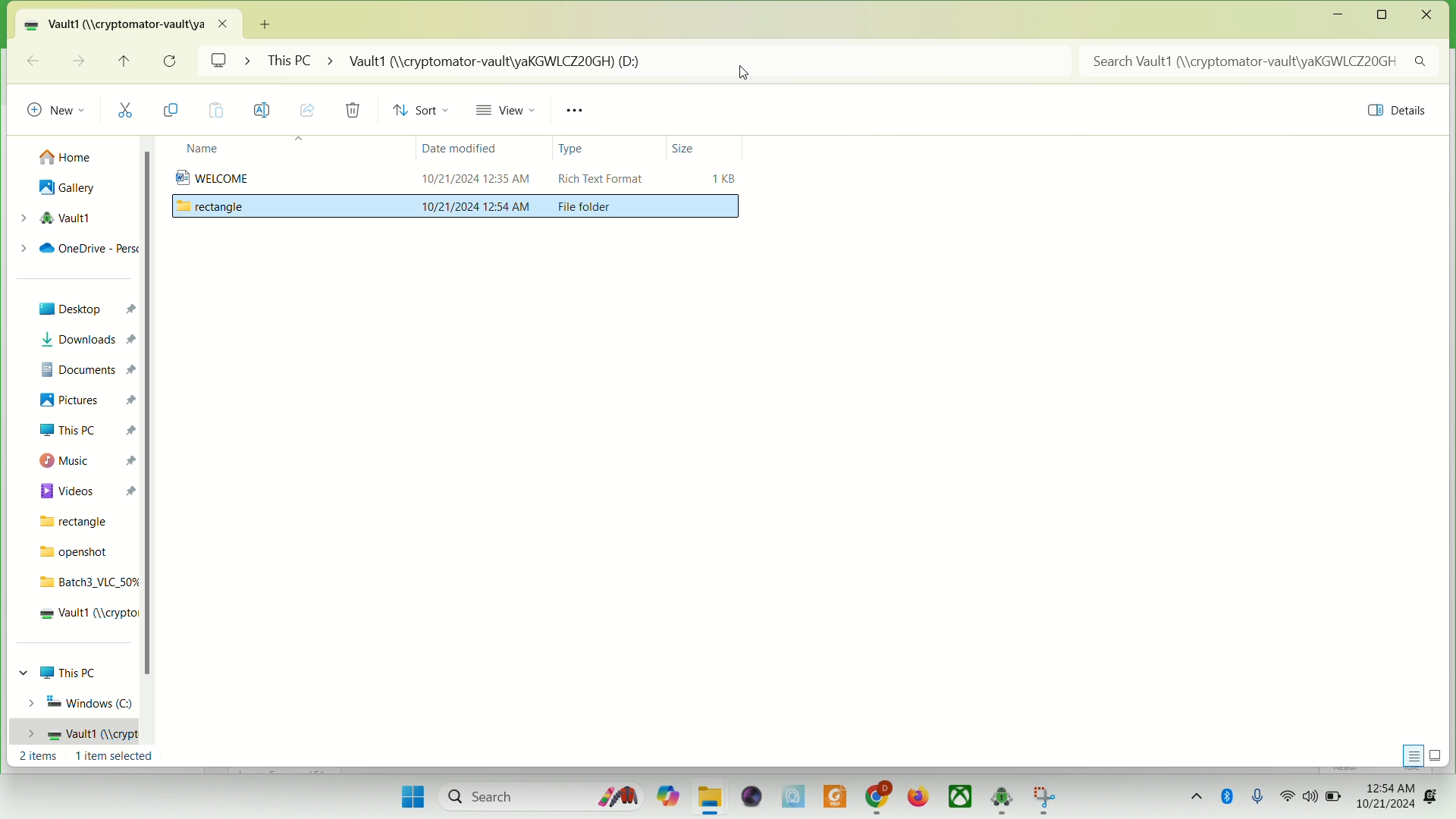  I want to click on delete, so click(352, 111).